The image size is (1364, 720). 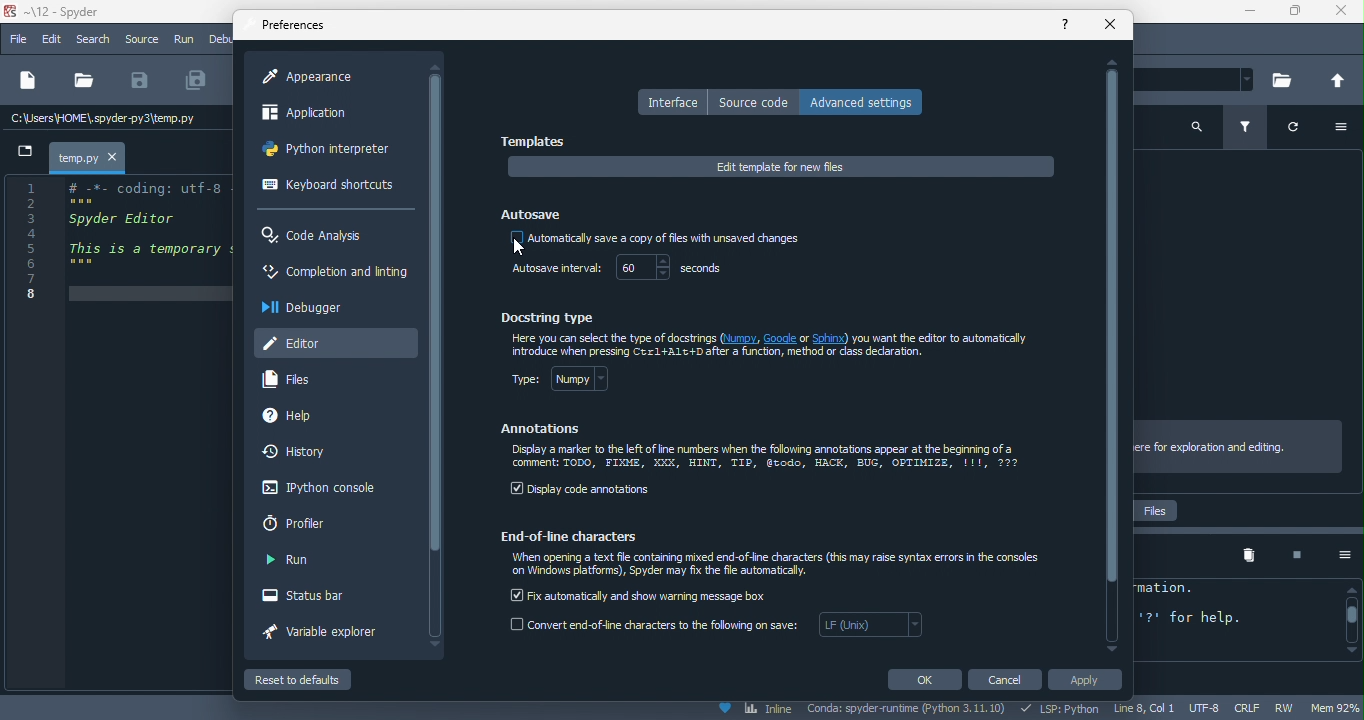 What do you see at coordinates (578, 535) in the screenshot?
I see `end of the characters` at bounding box center [578, 535].